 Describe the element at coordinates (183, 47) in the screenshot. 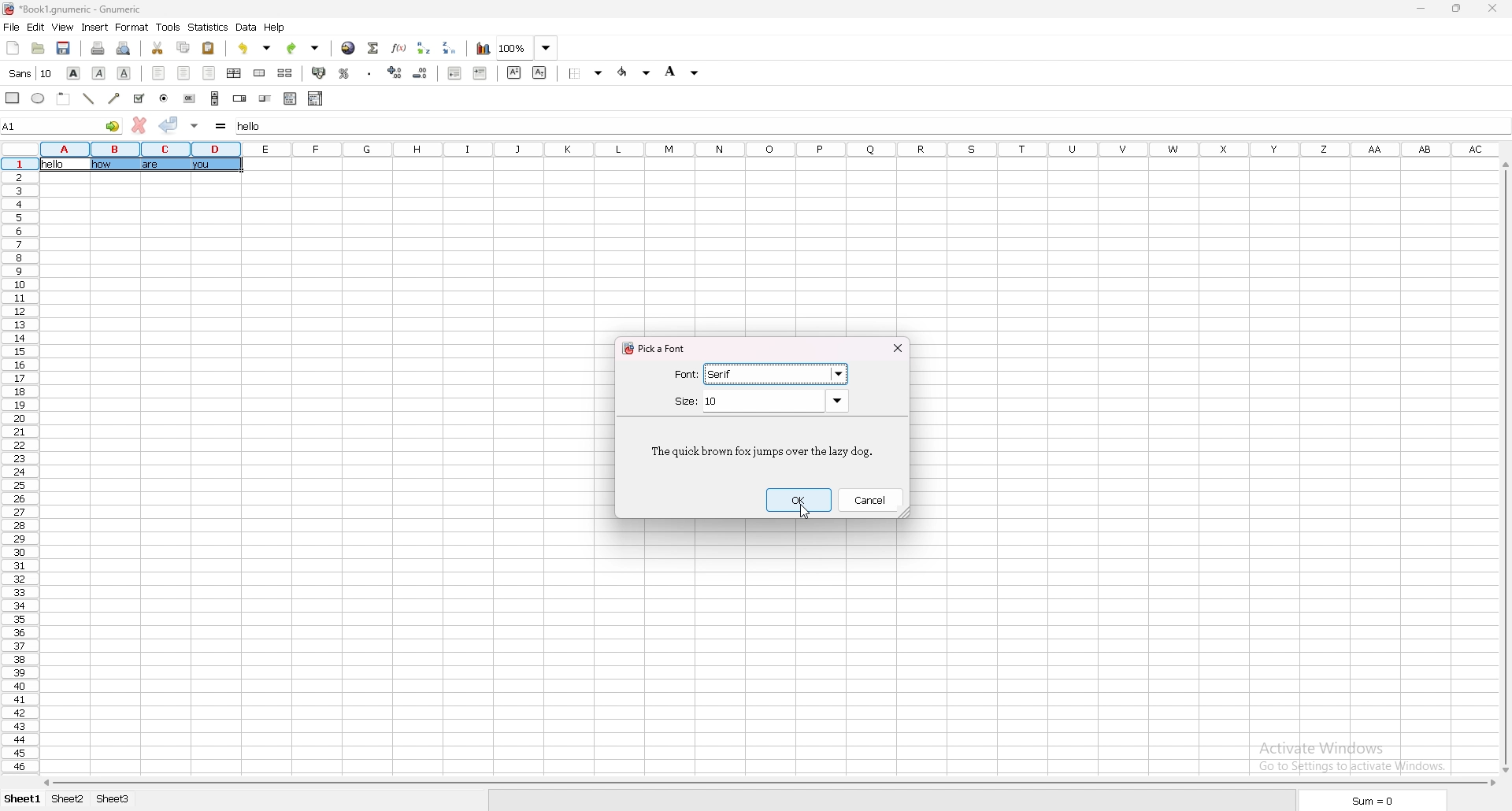

I see `copy` at that location.